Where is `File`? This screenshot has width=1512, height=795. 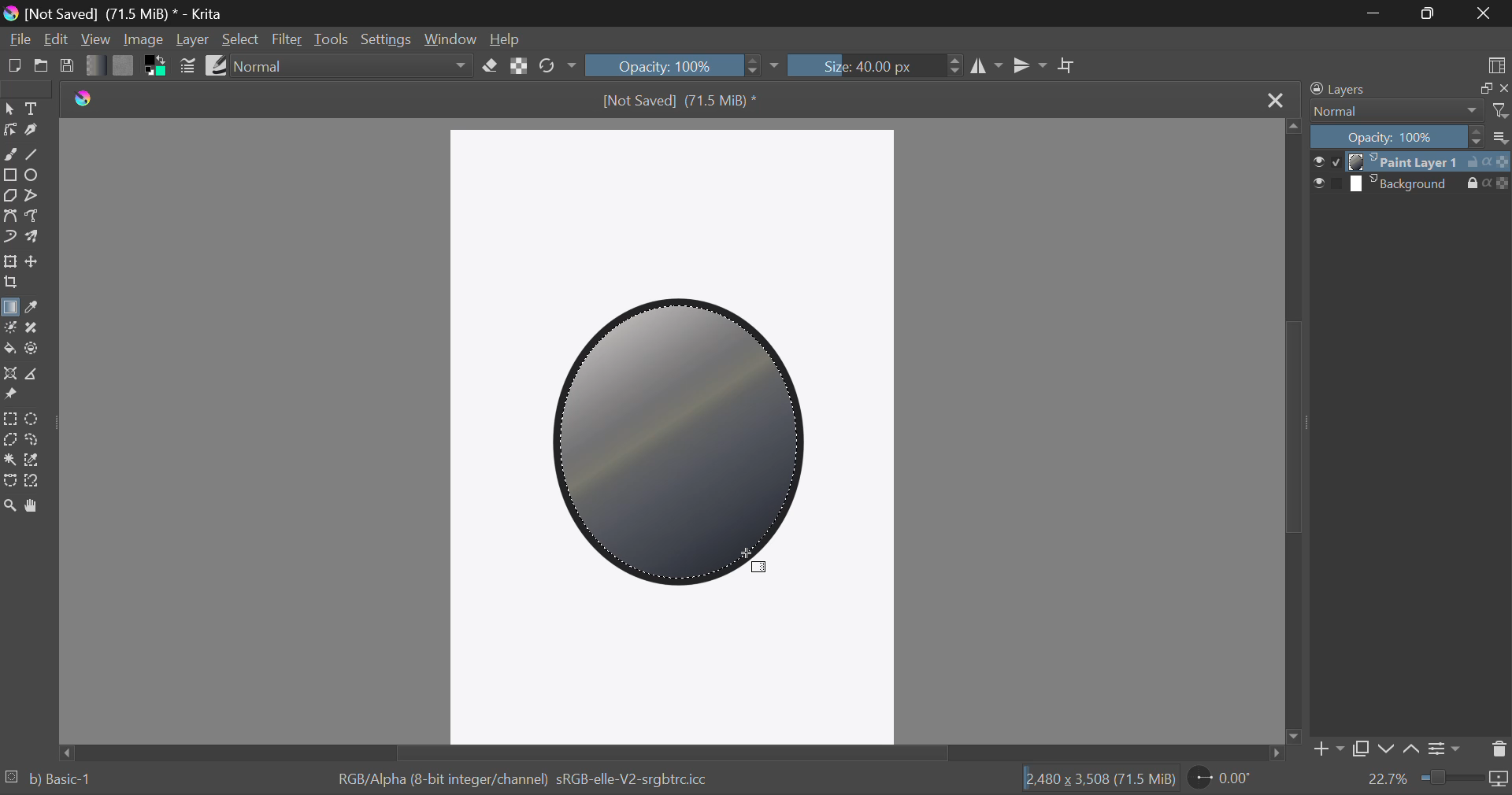 File is located at coordinates (18, 39).